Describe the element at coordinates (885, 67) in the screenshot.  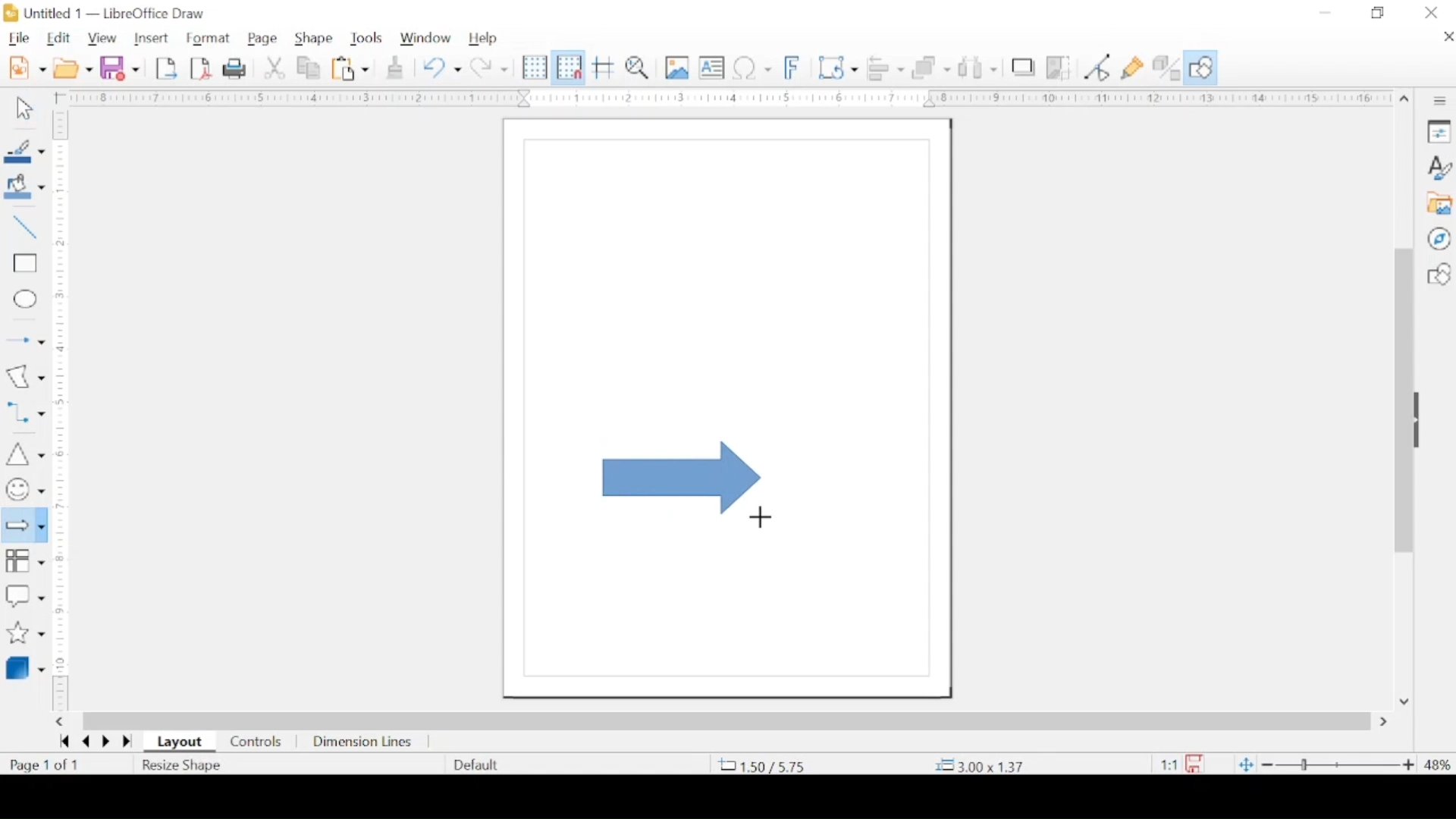
I see `align` at that location.